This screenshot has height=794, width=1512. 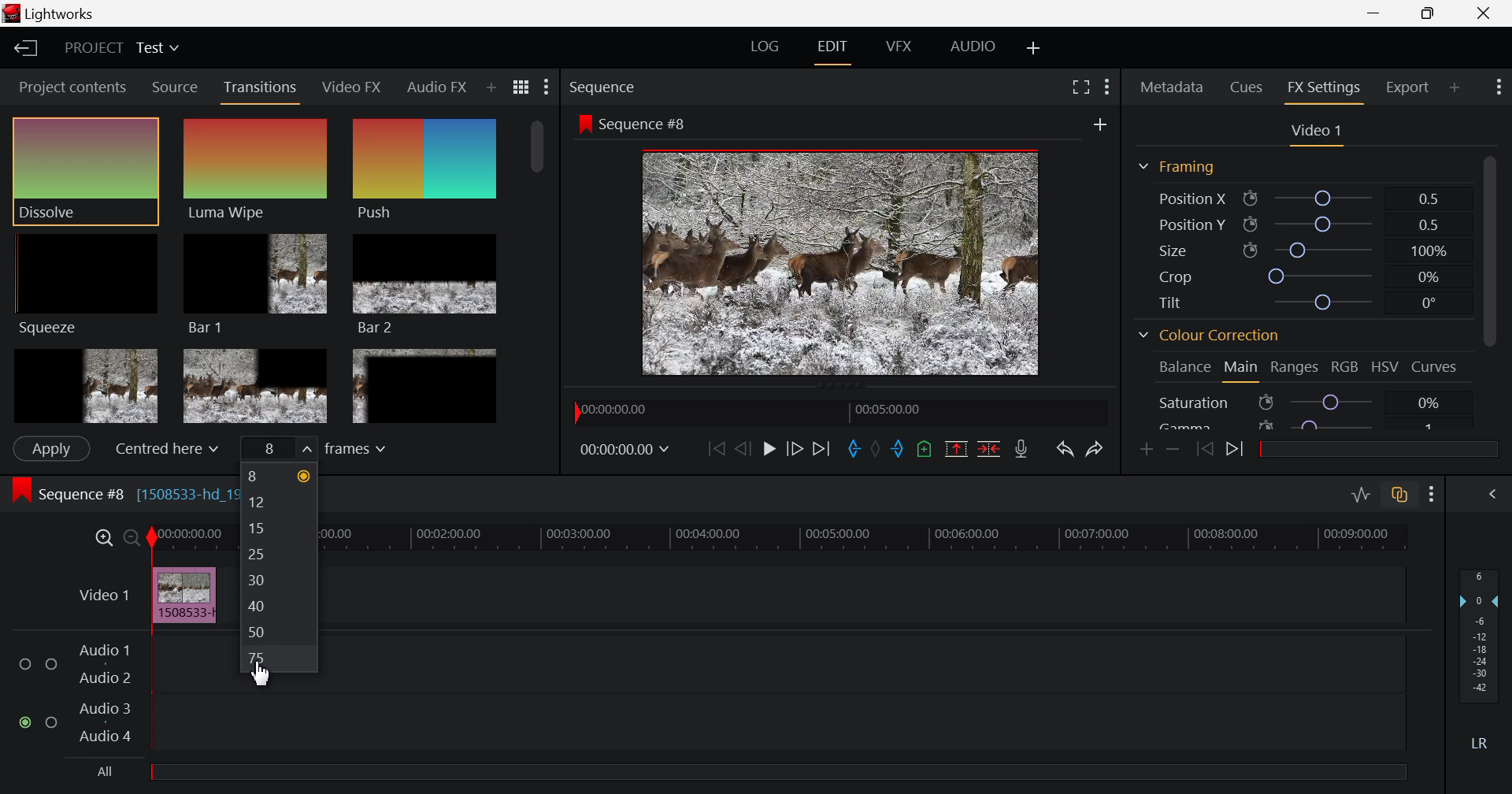 What do you see at coordinates (1303, 426) in the screenshot?
I see `Gamma` at bounding box center [1303, 426].